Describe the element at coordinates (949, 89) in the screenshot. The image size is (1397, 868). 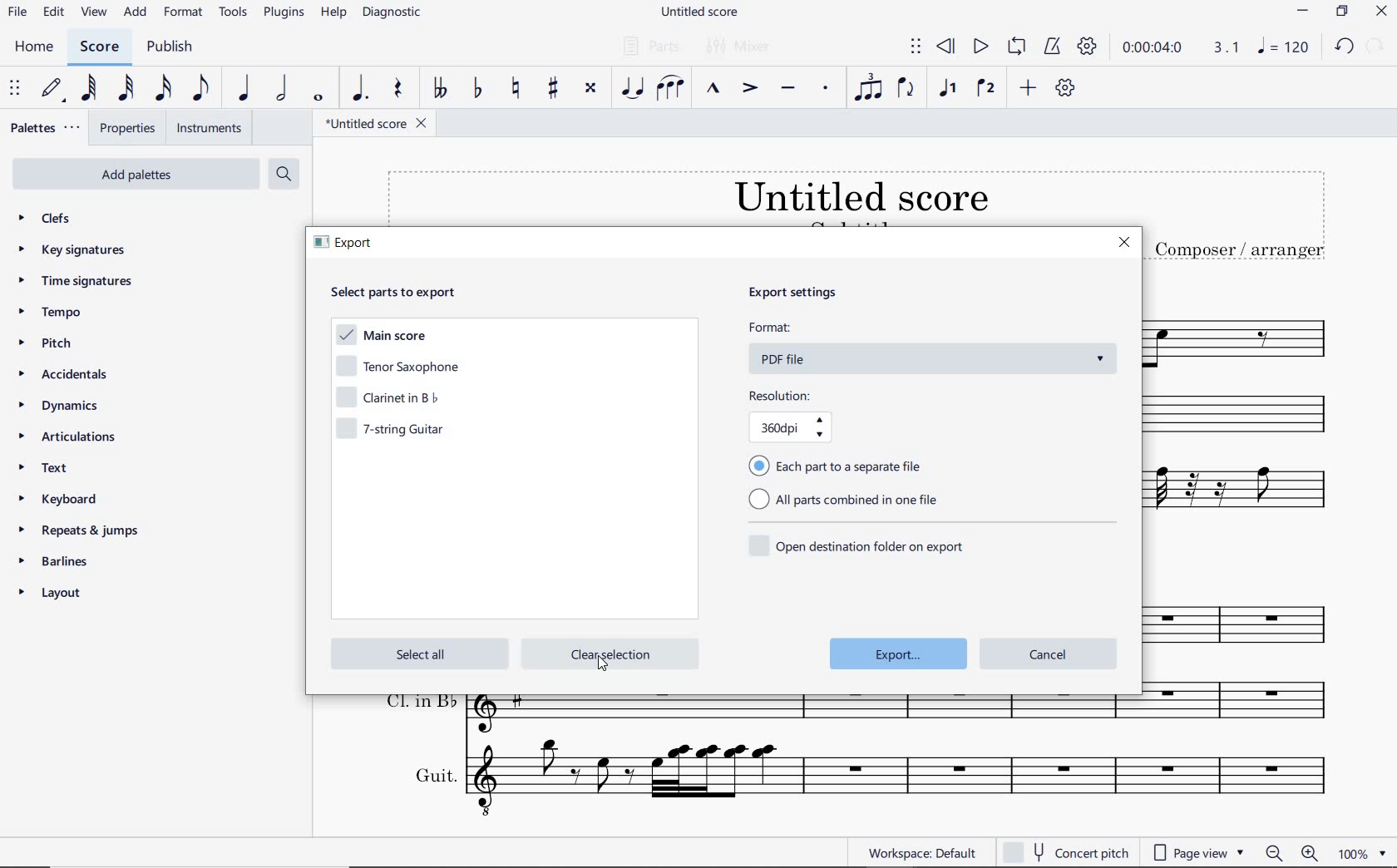
I see `VOICE 1` at that location.